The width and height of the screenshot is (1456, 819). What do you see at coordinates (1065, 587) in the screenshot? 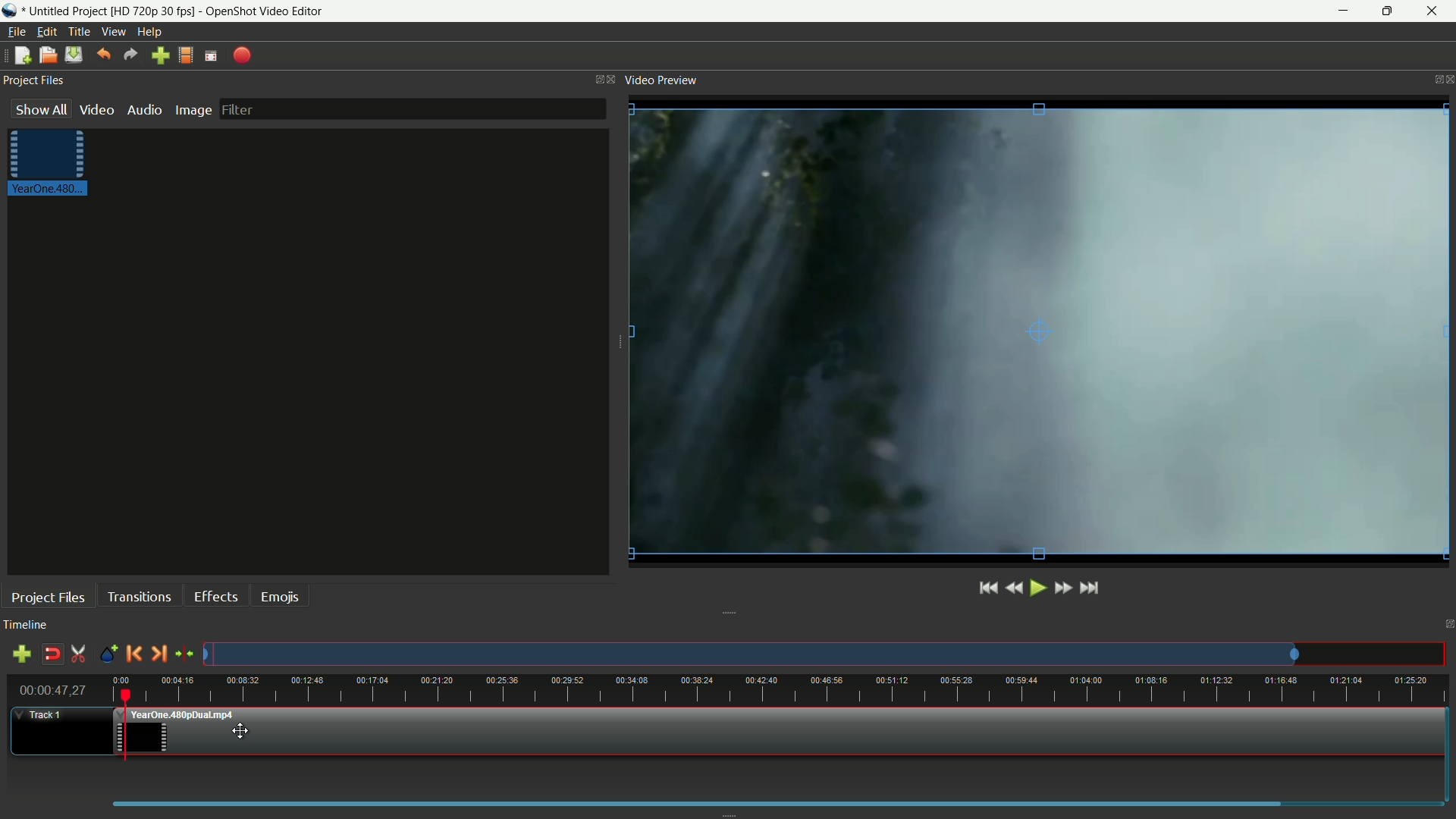
I see `fast forward` at bounding box center [1065, 587].